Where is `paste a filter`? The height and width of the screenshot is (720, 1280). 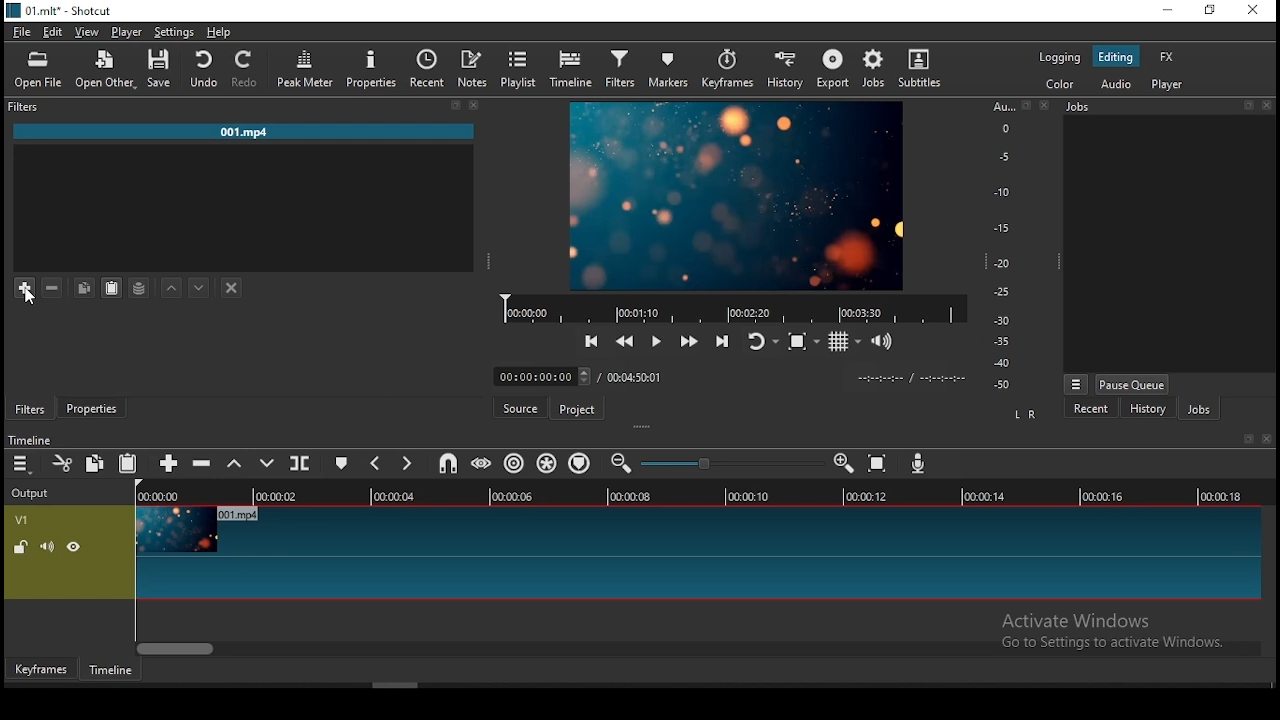
paste a filter is located at coordinates (111, 288).